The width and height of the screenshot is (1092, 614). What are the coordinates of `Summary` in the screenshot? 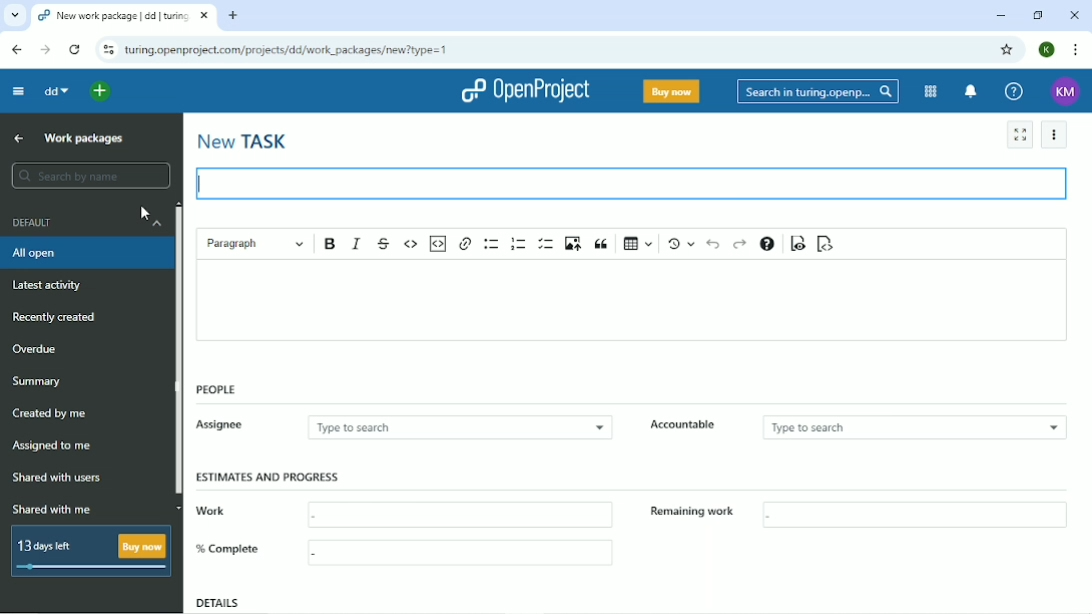 It's located at (37, 382).